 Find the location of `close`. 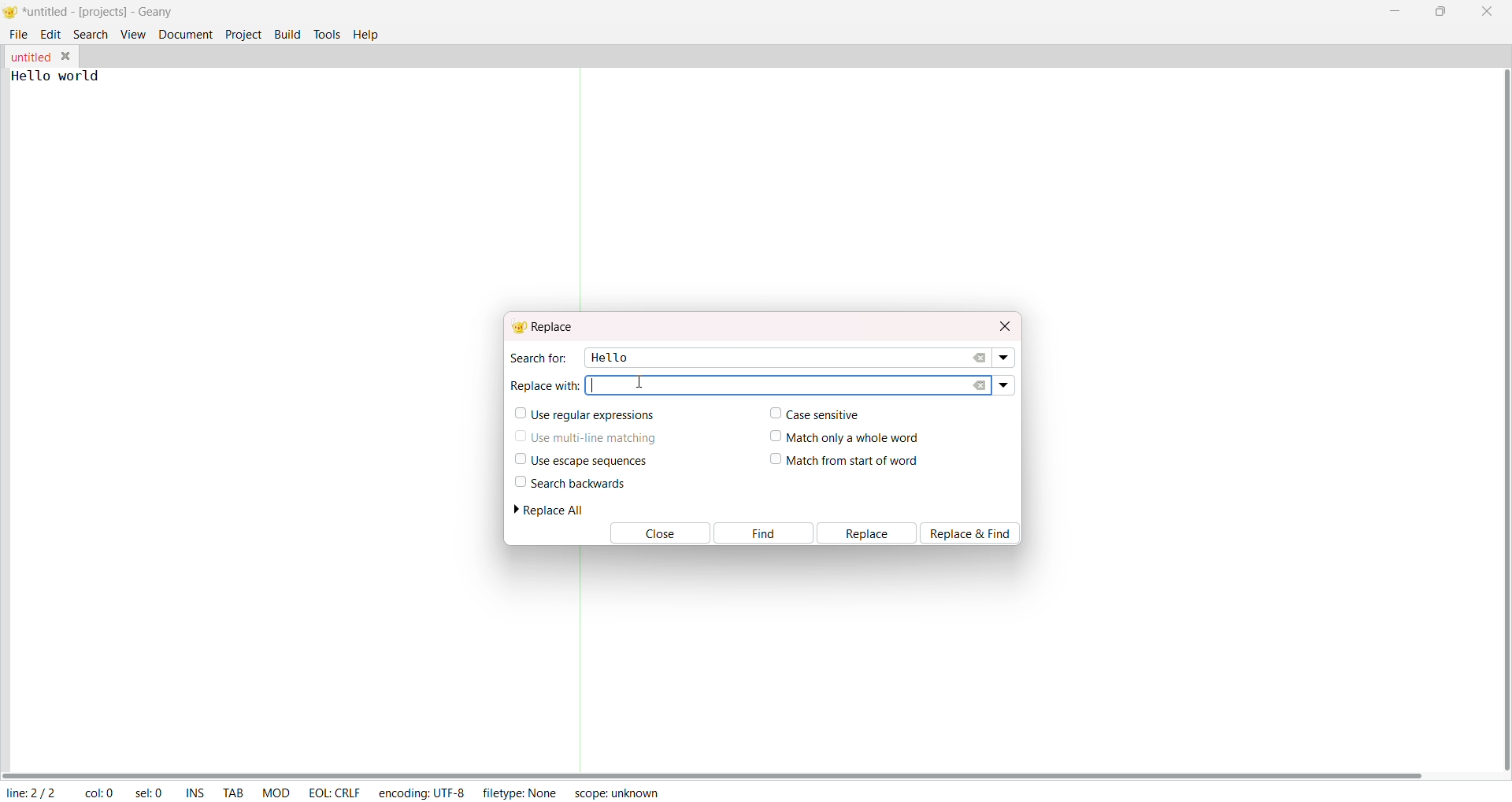

close is located at coordinates (1487, 11).